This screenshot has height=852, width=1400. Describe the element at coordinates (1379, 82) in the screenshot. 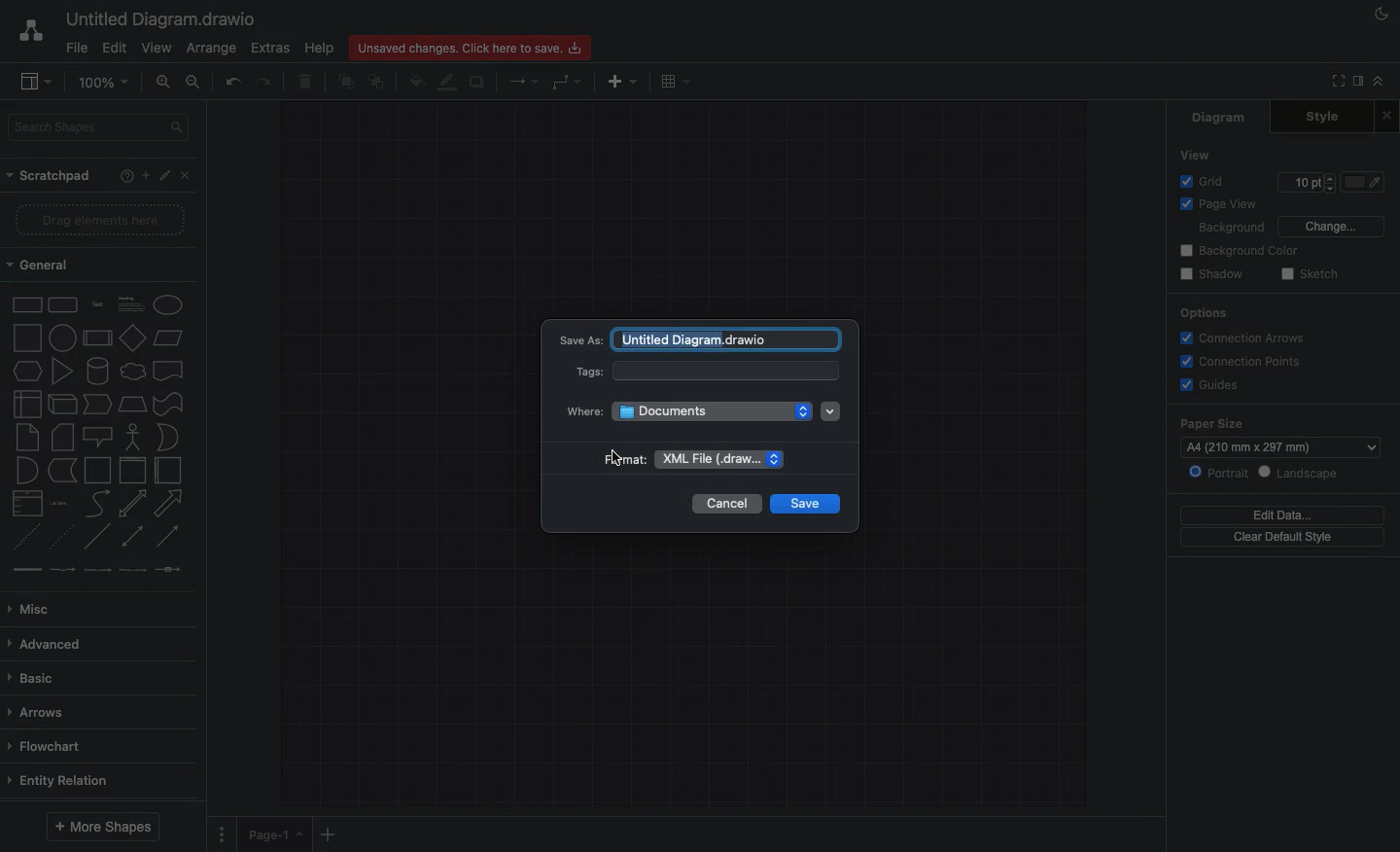

I see `Collapse` at that location.